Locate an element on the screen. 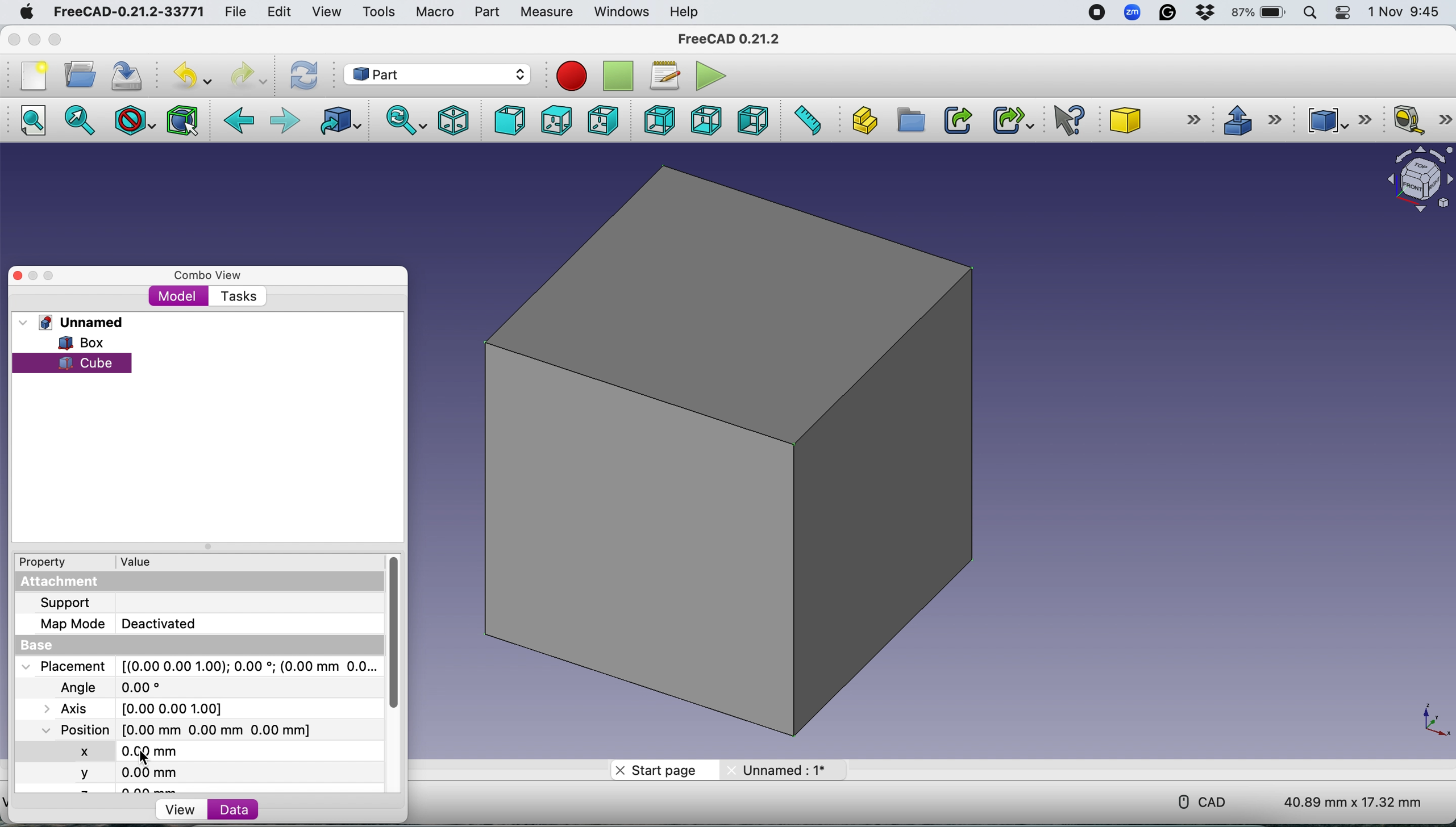  Rear is located at coordinates (656, 120).